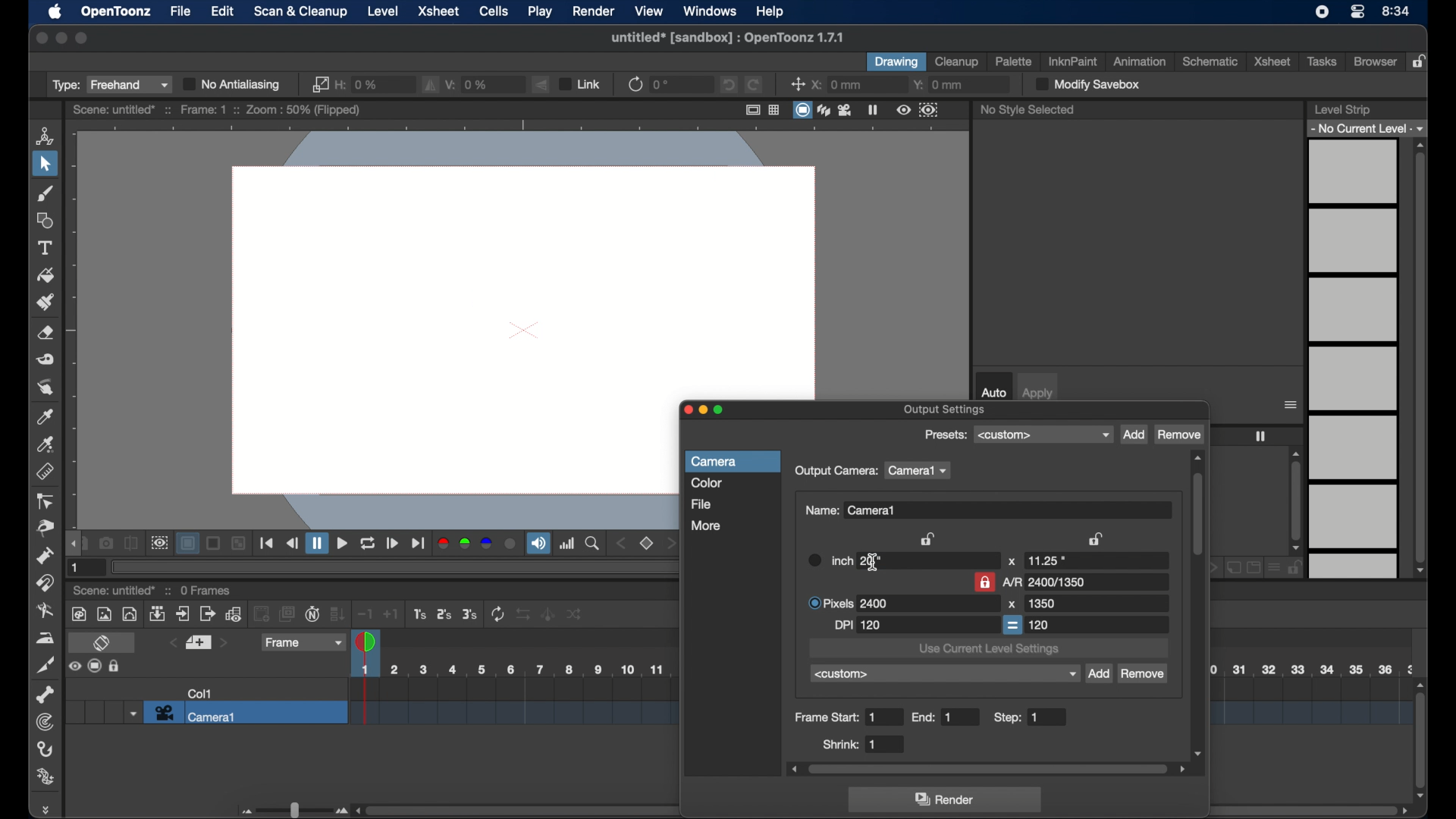 The image size is (1456, 819). What do you see at coordinates (115, 591) in the screenshot?
I see `scene` at bounding box center [115, 591].